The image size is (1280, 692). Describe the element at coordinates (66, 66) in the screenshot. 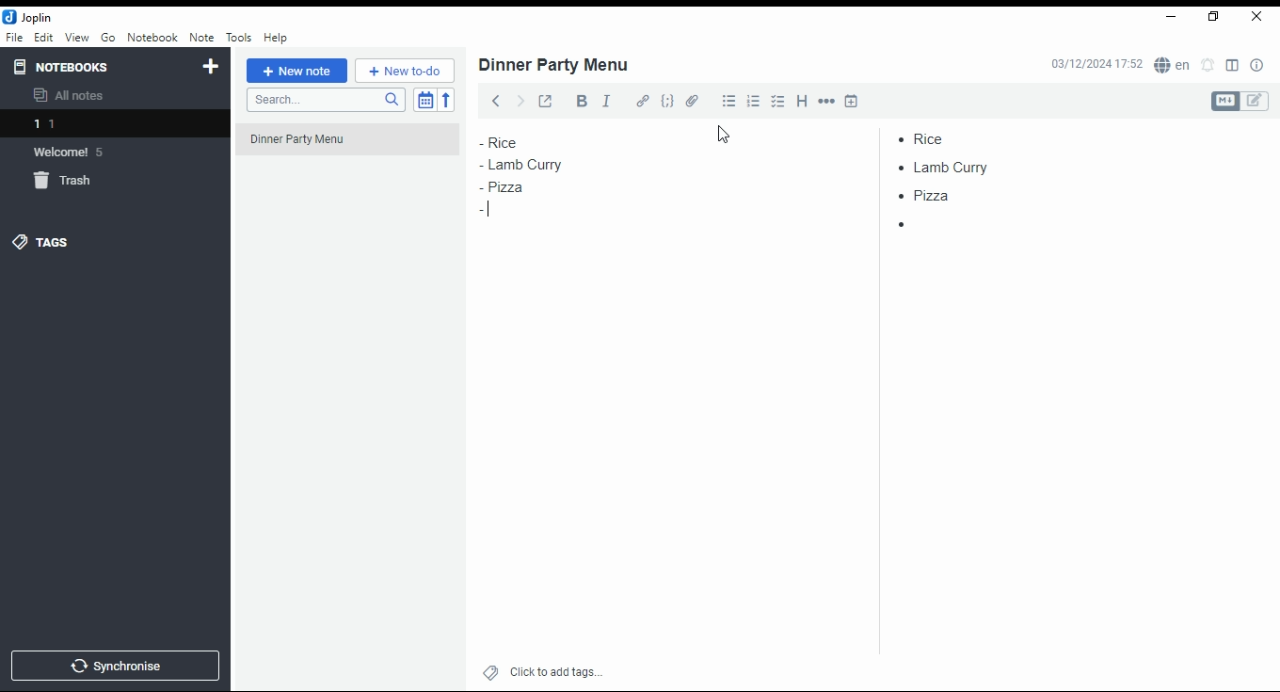

I see `notebooks` at that location.